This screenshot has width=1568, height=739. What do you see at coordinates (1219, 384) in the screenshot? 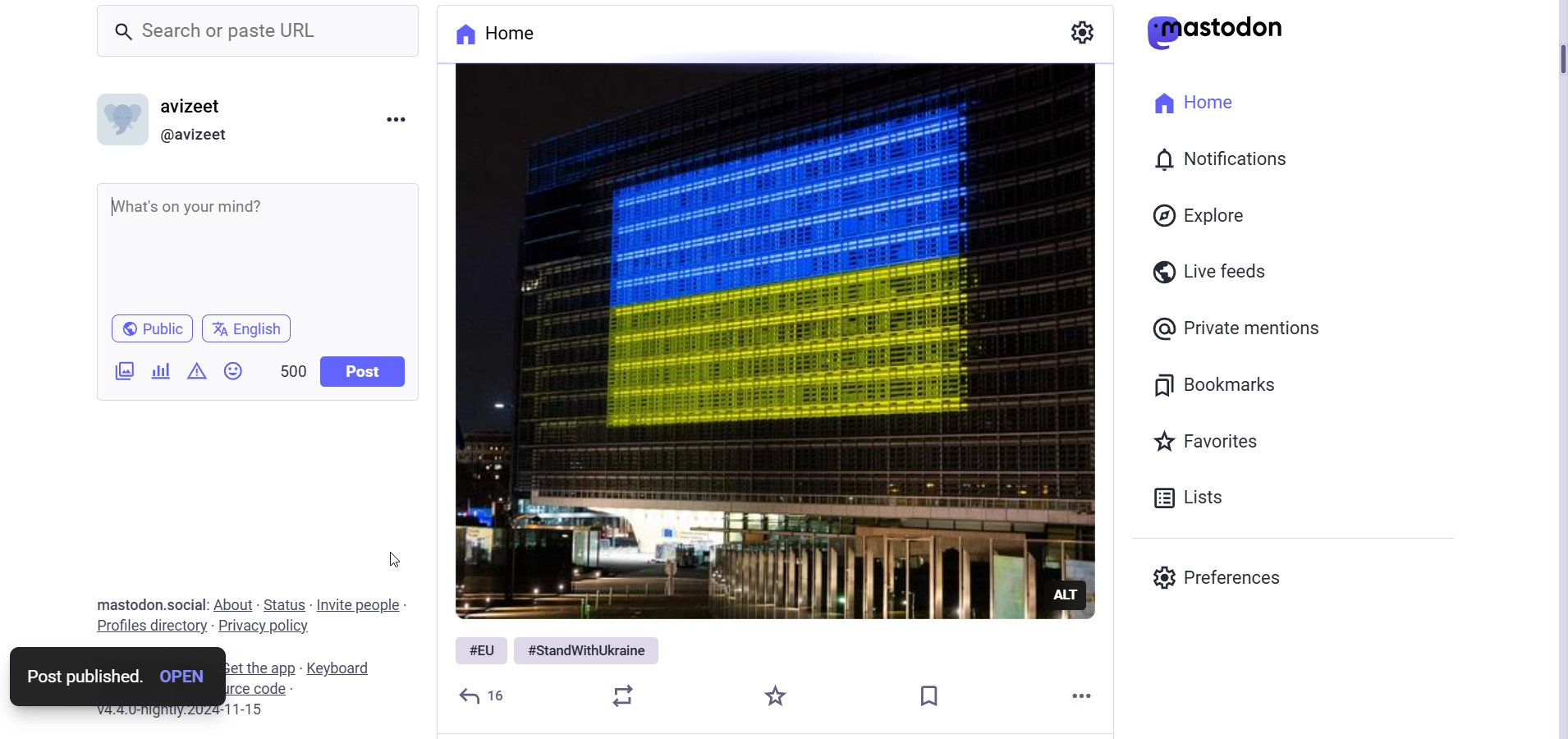
I see `Bookmarks` at bounding box center [1219, 384].